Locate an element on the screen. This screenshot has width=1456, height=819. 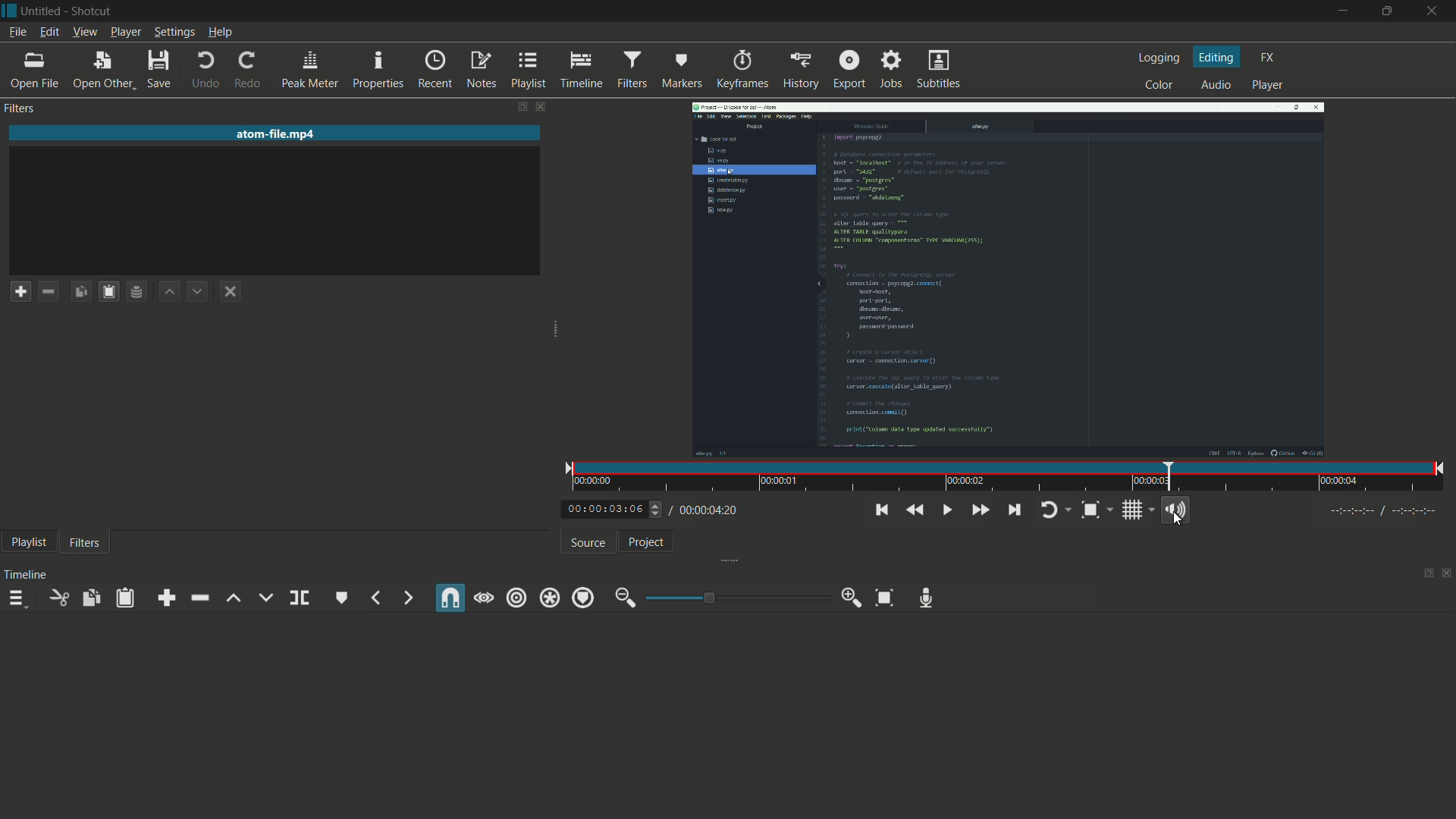
zoom out is located at coordinates (621, 598).